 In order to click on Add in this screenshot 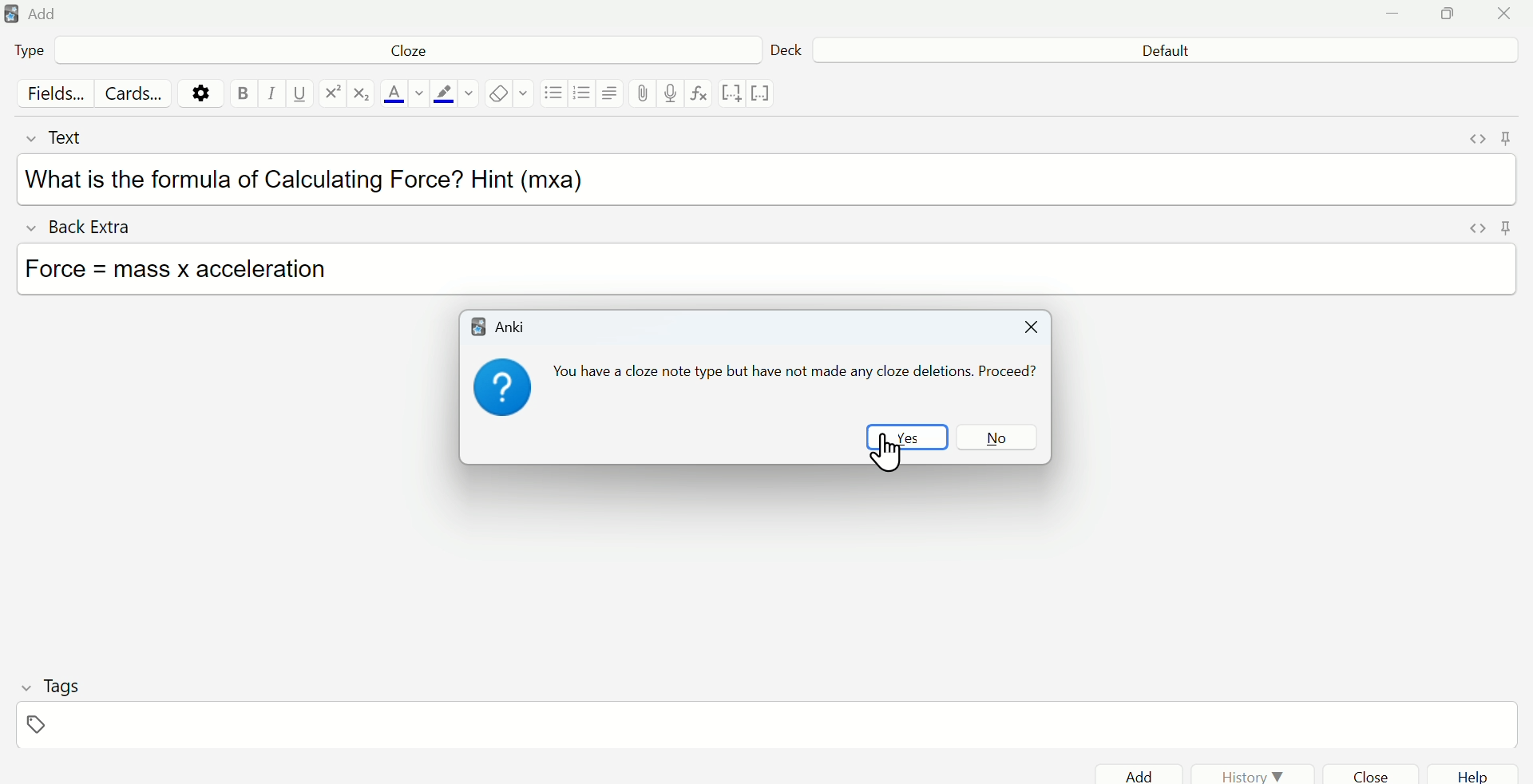, I will do `click(1138, 774)`.